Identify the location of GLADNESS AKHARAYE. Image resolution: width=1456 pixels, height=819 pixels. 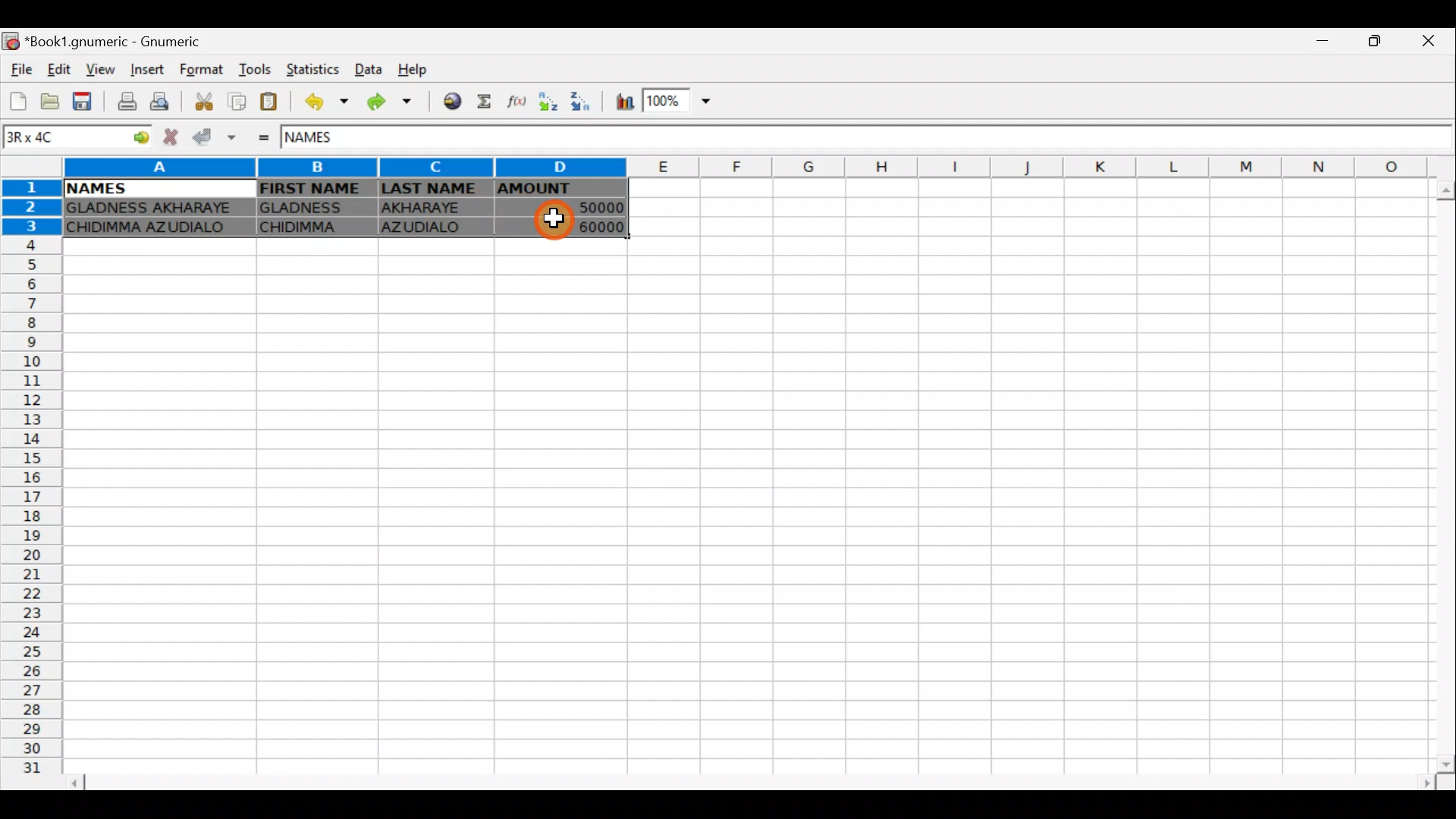
(154, 209).